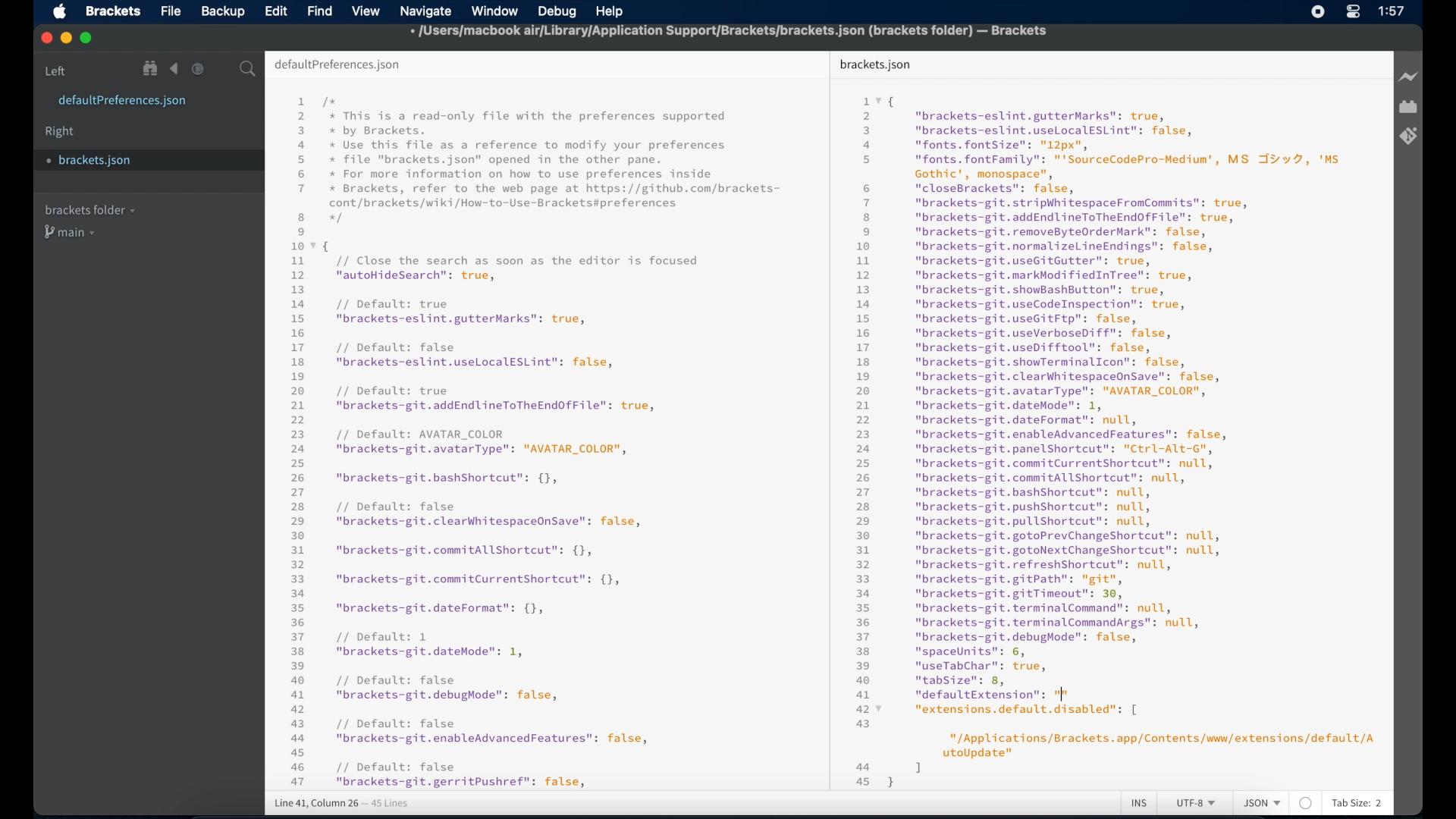 The width and height of the screenshot is (1456, 819). What do you see at coordinates (1408, 136) in the screenshot?
I see `brackets git extensions` at bounding box center [1408, 136].